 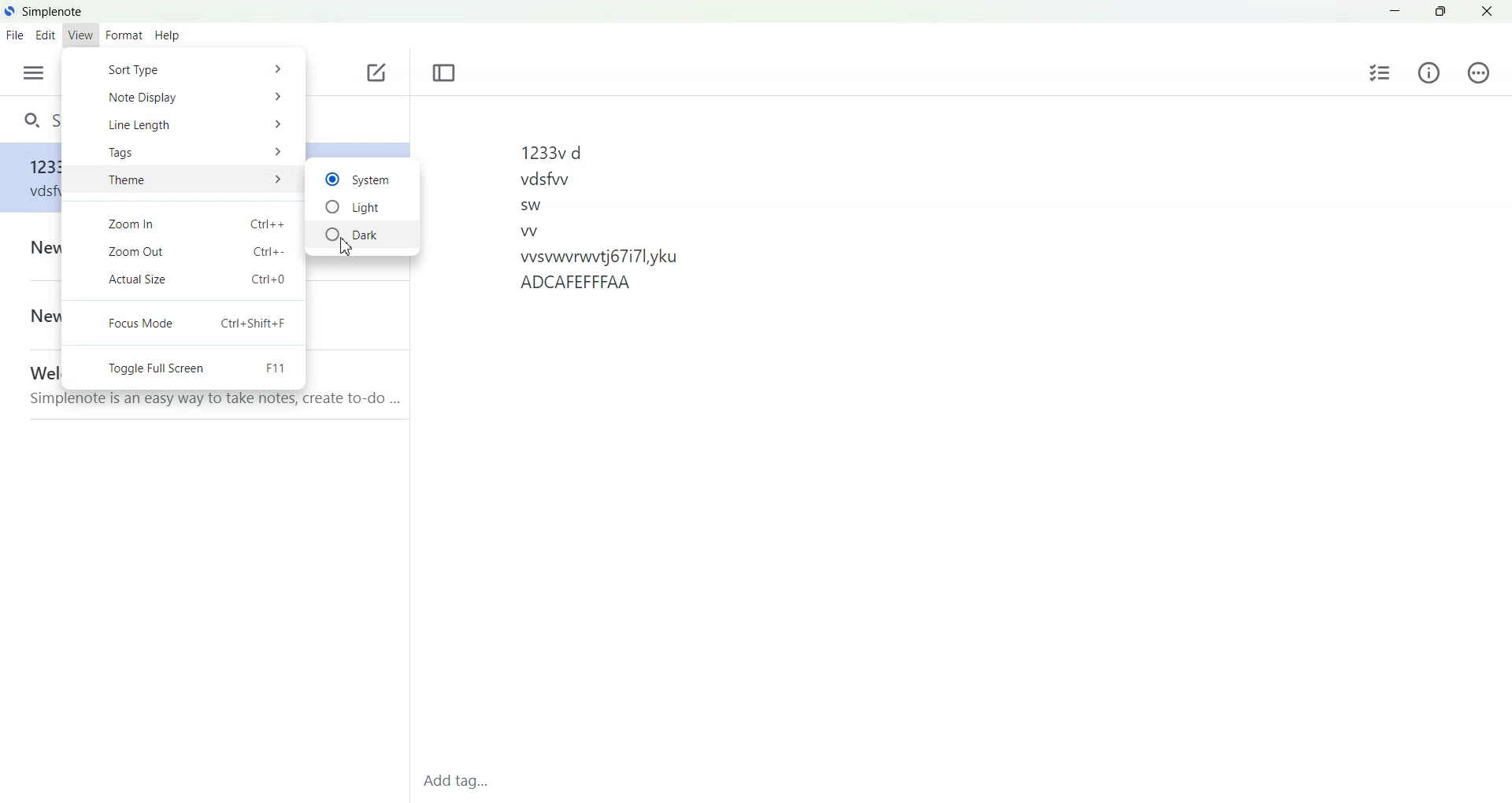 What do you see at coordinates (598, 215) in the screenshot?
I see `1233vd

vdsfwwy

sw

w
vsvwvrwvtj67i7lyku
ADCAFEFFFAA` at bounding box center [598, 215].